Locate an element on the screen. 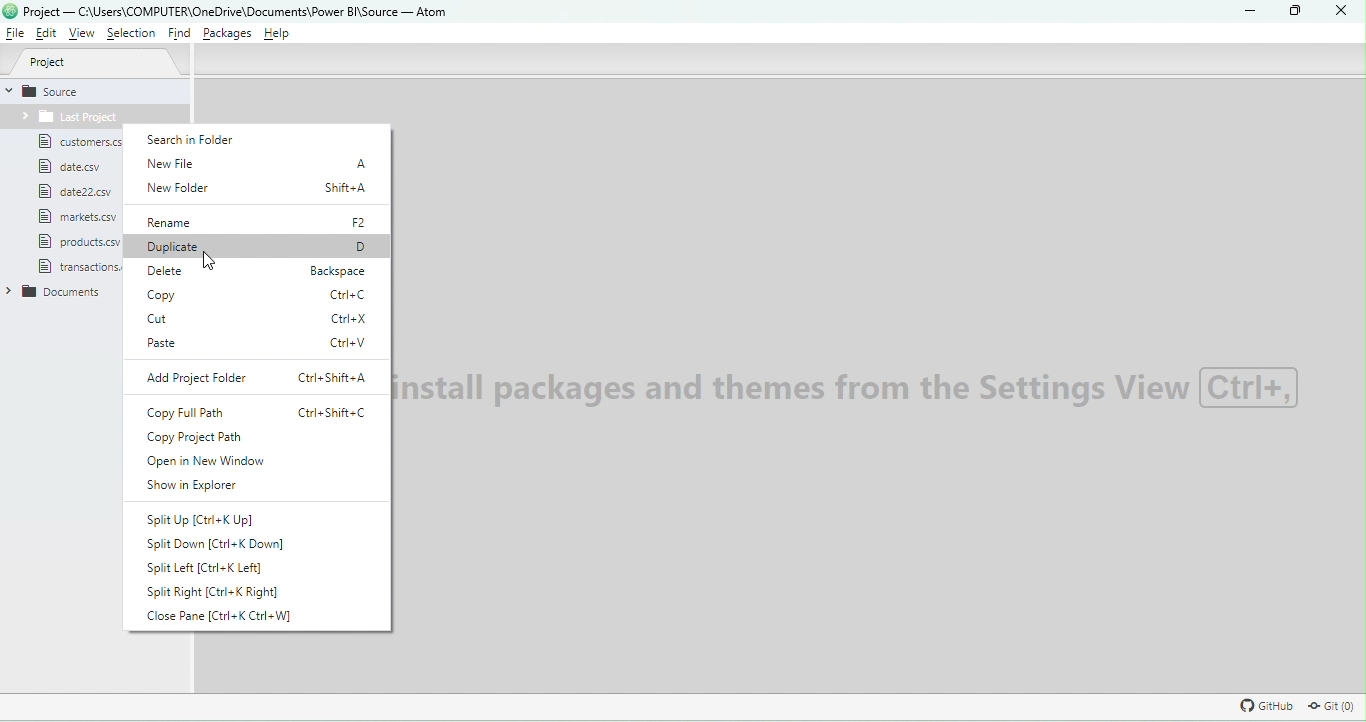 The height and width of the screenshot is (722, 1366). Selection is located at coordinates (131, 33).